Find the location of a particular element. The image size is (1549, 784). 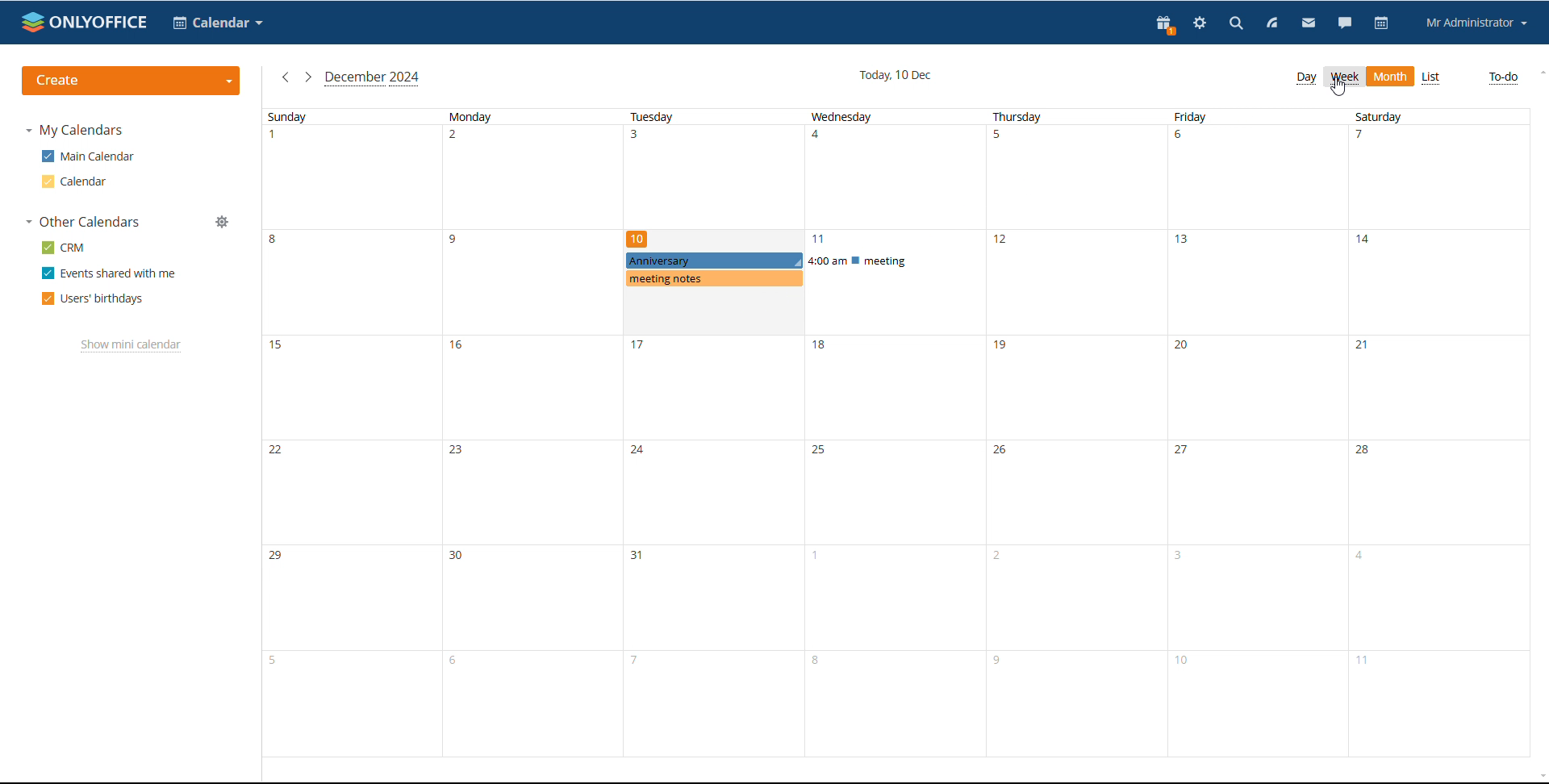

present is located at coordinates (1163, 24).